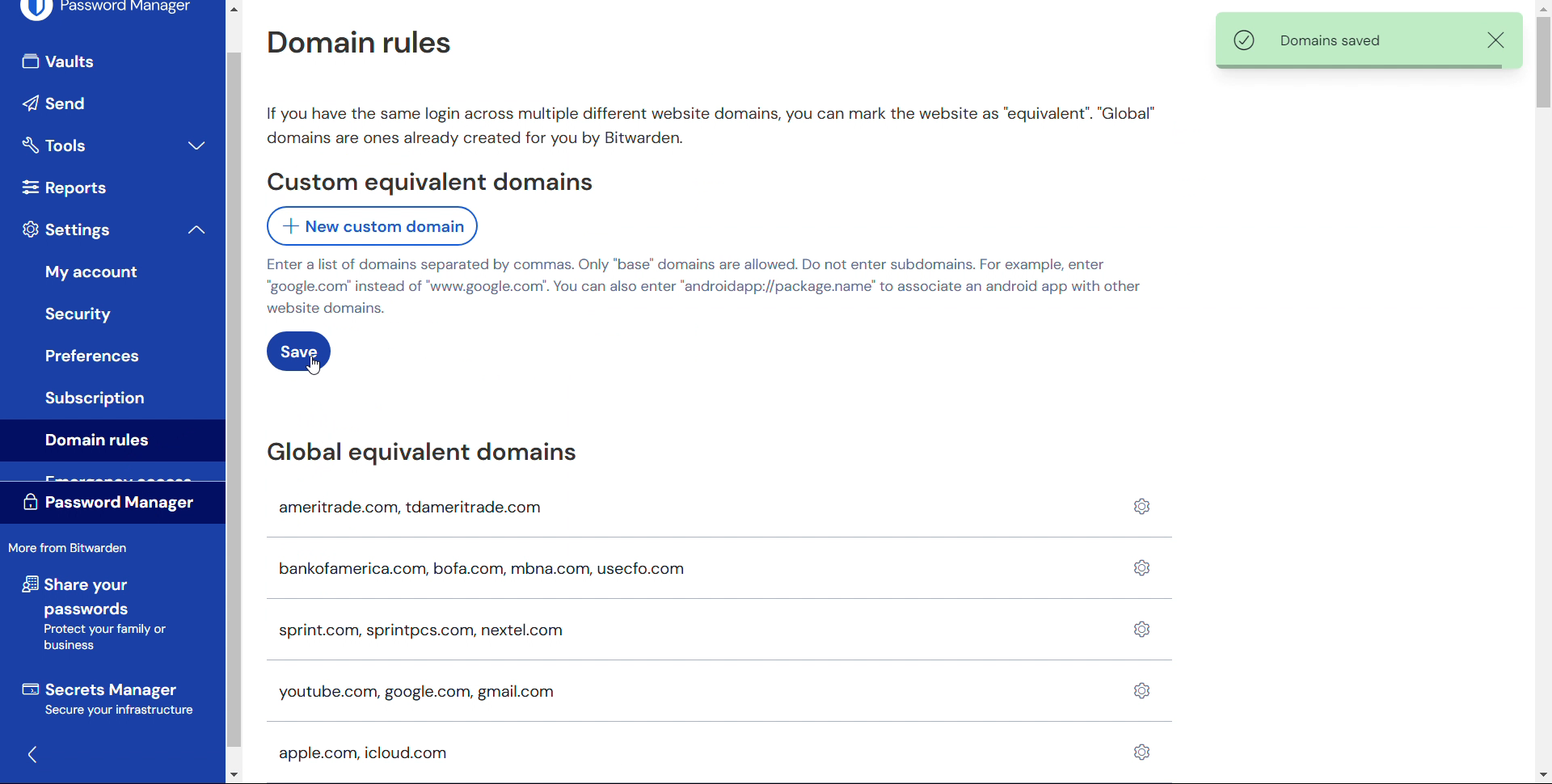 Image resolution: width=1552 pixels, height=784 pixels. What do you see at coordinates (33, 756) in the screenshot?
I see `Hide sidebar ` at bounding box center [33, 756].